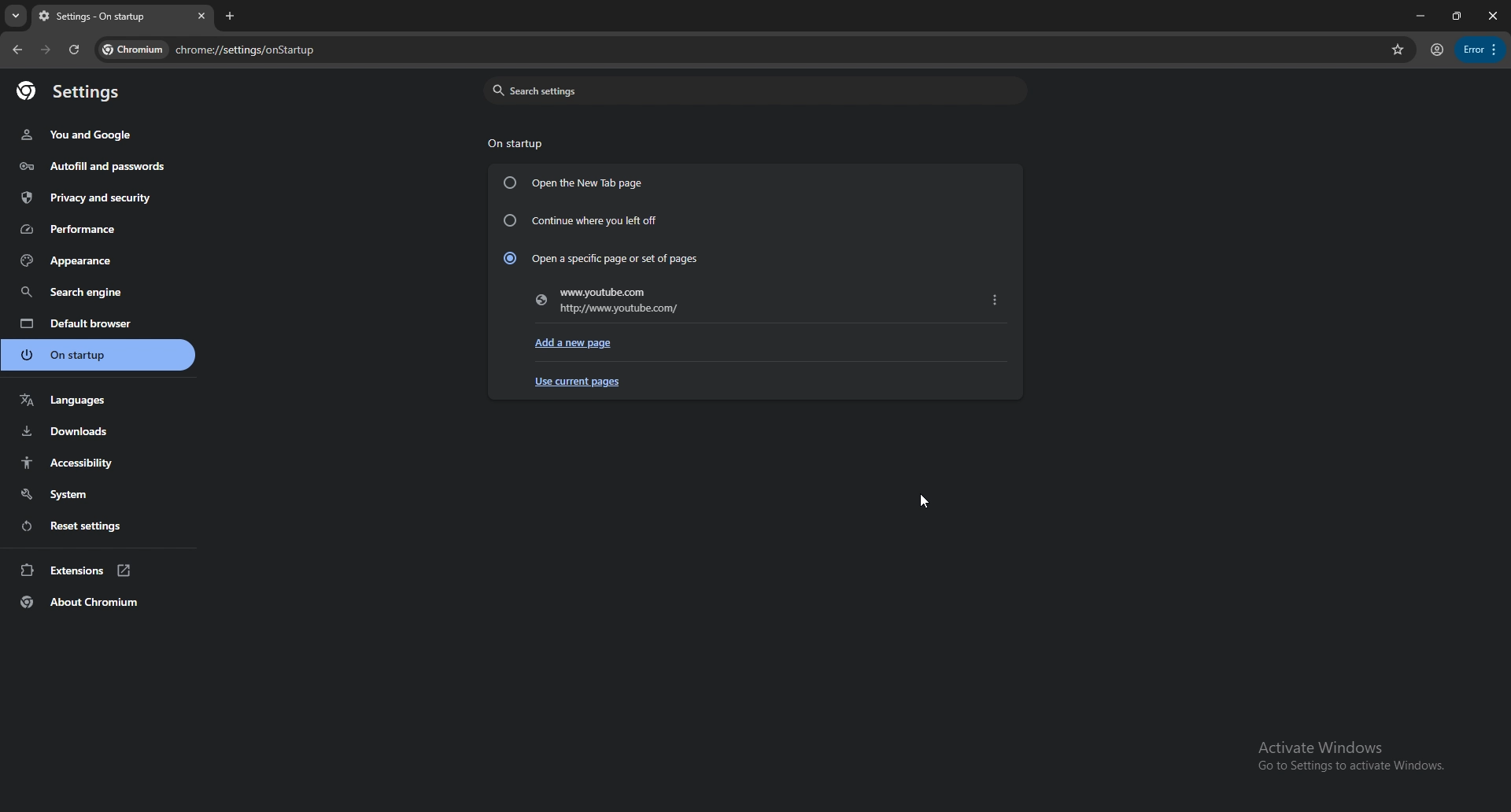 The width and height of the screenshot is (1511, 812). Describe the element at coordinates (232, 16) in the screenshot. I see `add tab` at that location.